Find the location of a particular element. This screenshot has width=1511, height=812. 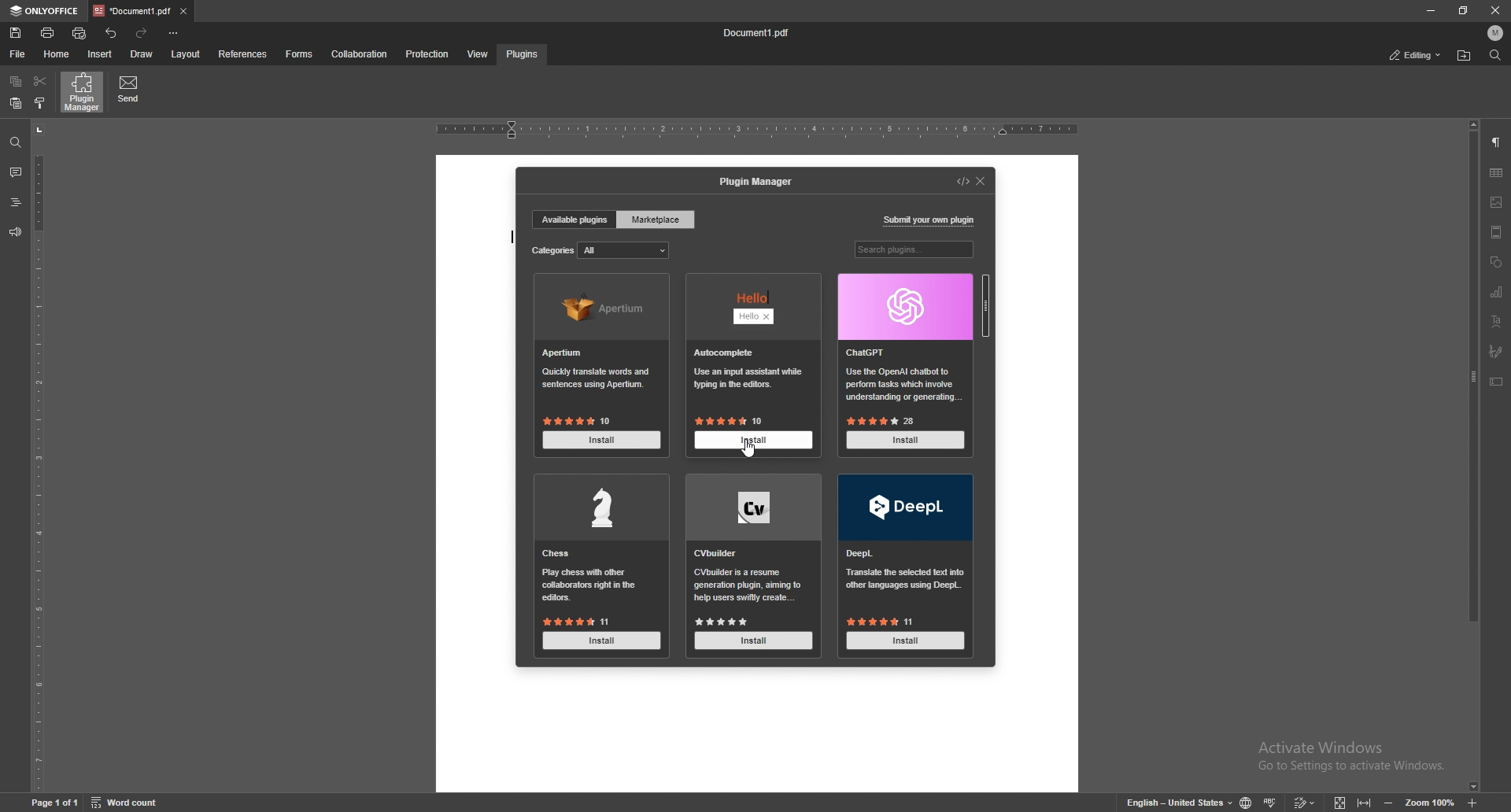

zoom out is located at coordinates (1387, 799).